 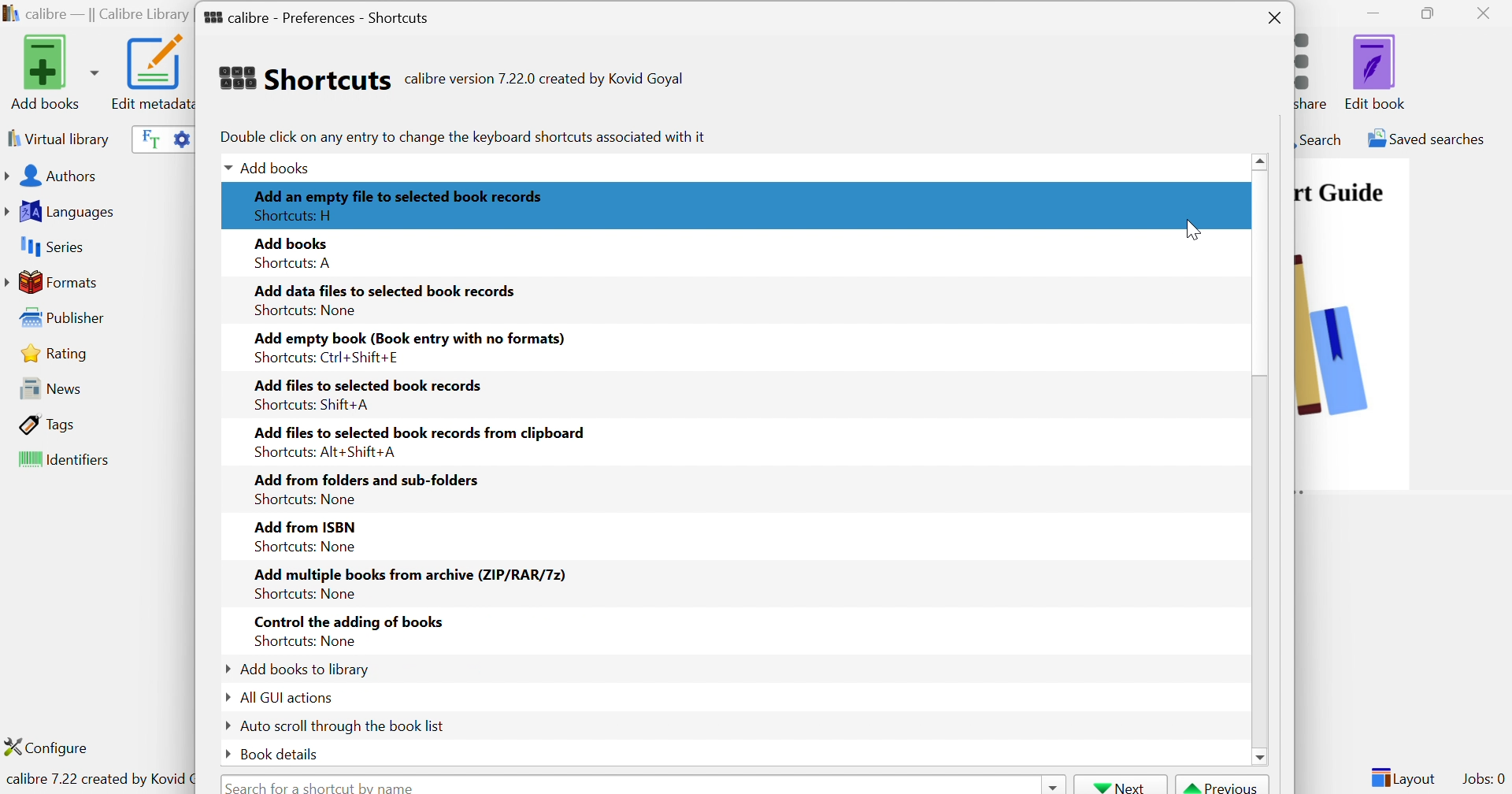 I want to click on image, so click(x=1351, y=359).